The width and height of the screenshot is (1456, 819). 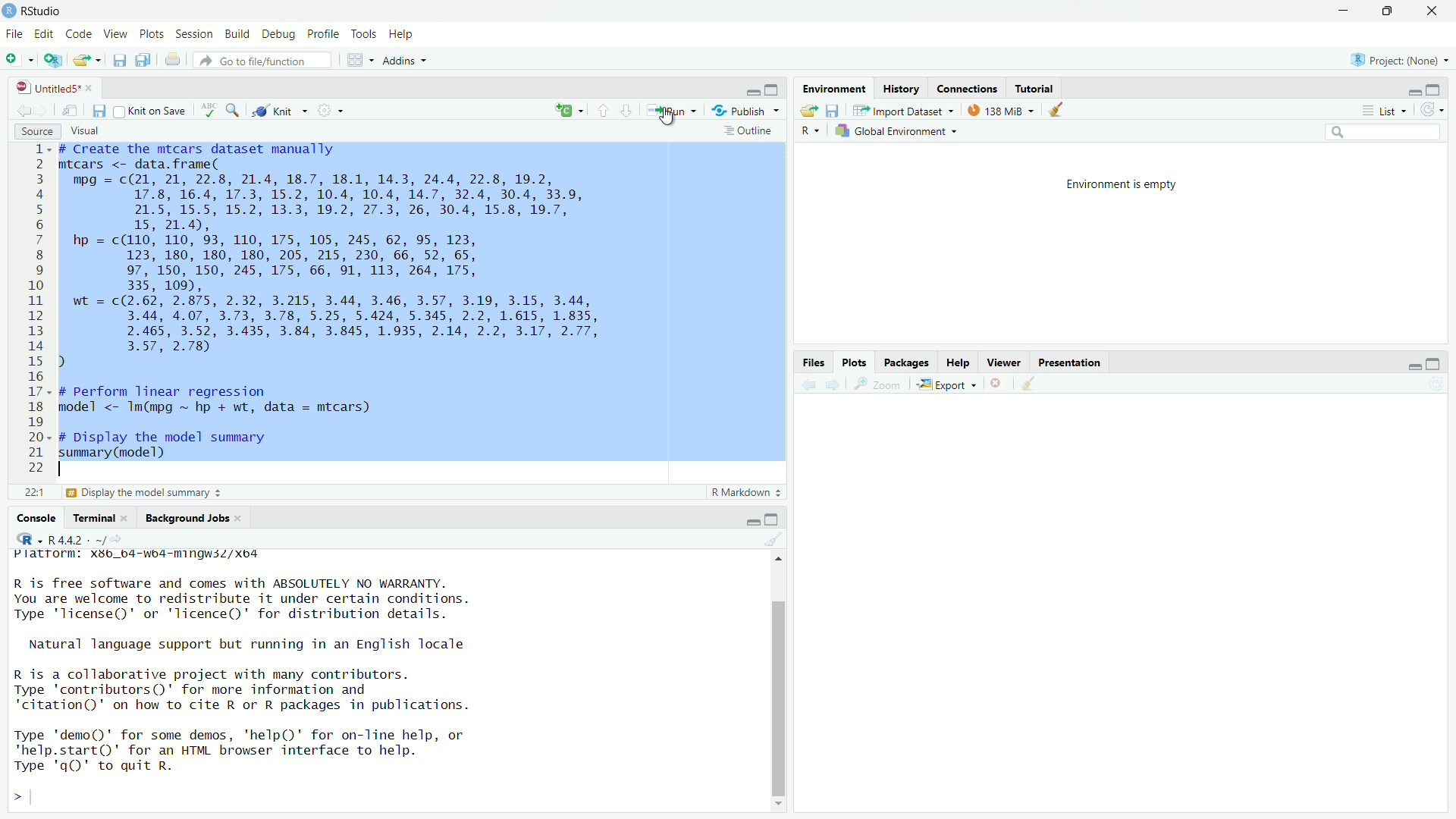 I want to click on Run, so click(x=670, y=109).